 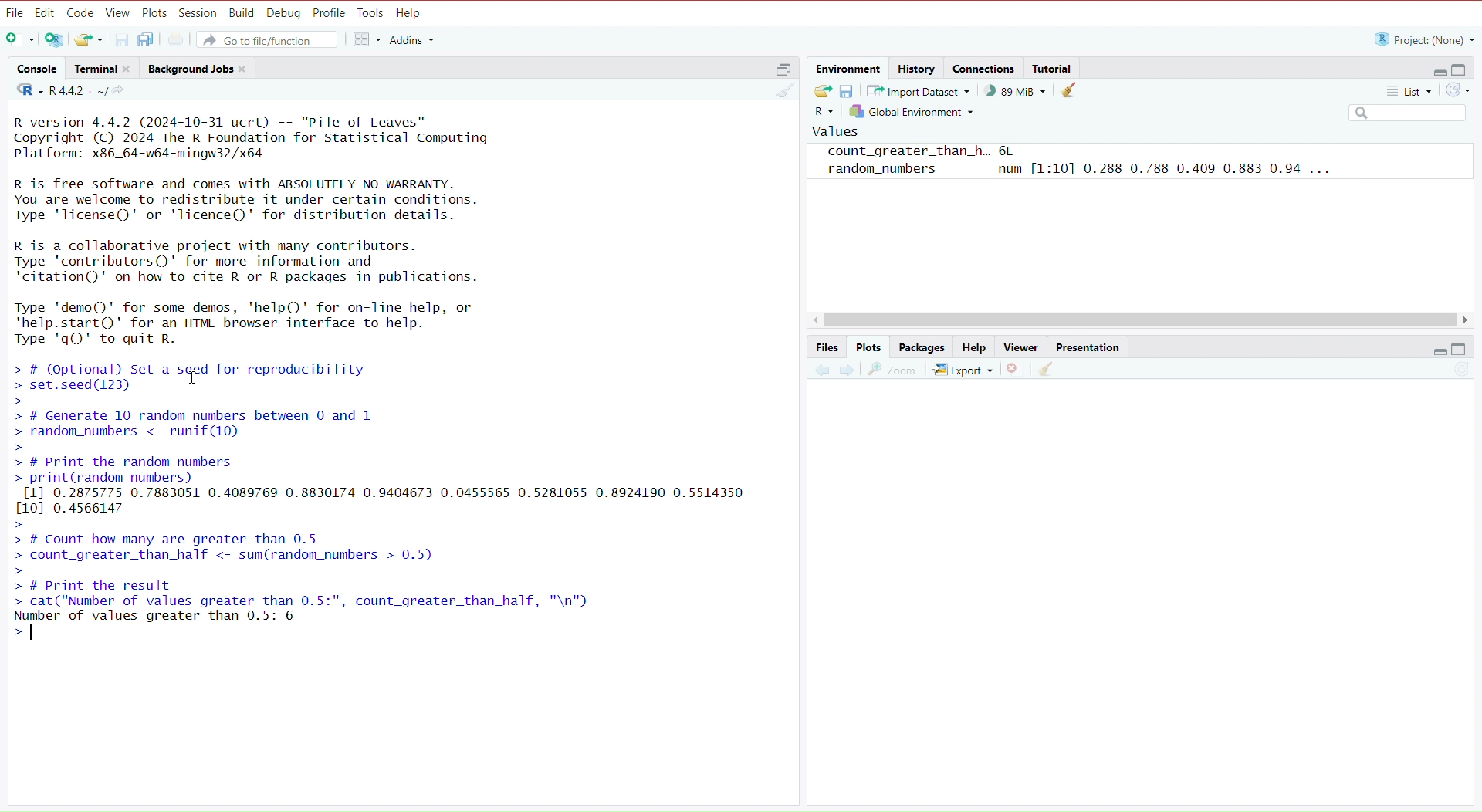 What do you see at coordinates (15, 12) in the screenshot?
I see `File` at bounding box center [15, 12].